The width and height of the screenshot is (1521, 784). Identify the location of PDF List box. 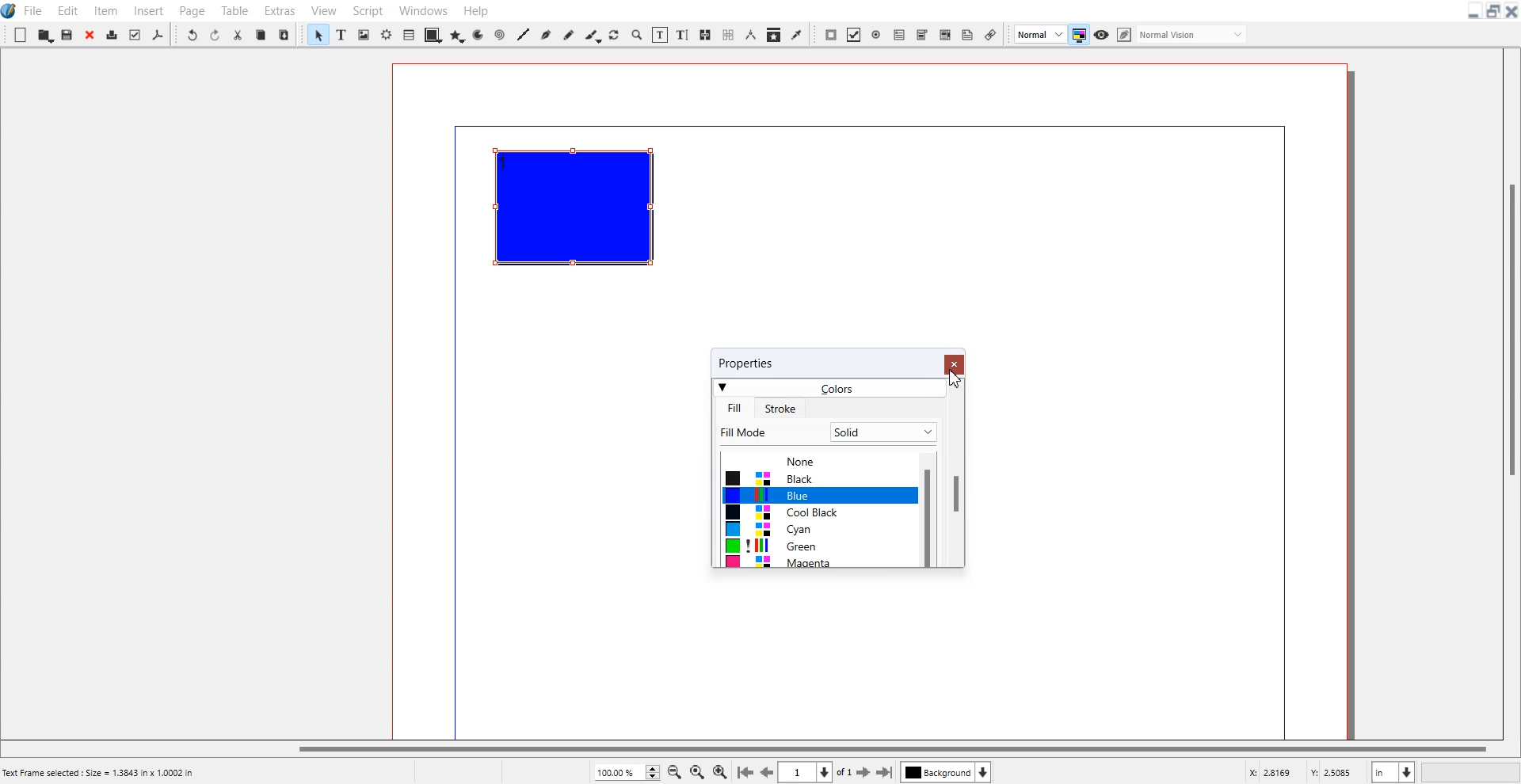
(945, 34).